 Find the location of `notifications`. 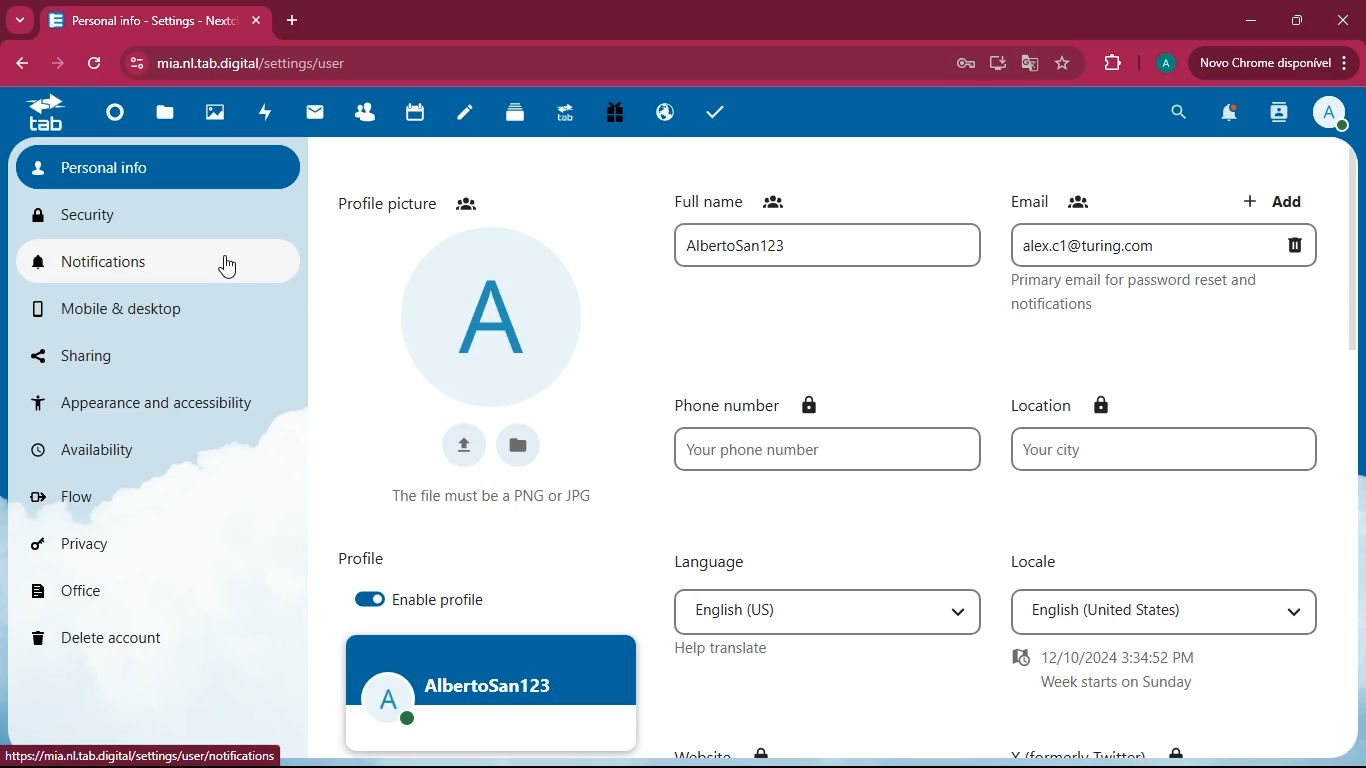

notifications is located at coordinates (116, 262).